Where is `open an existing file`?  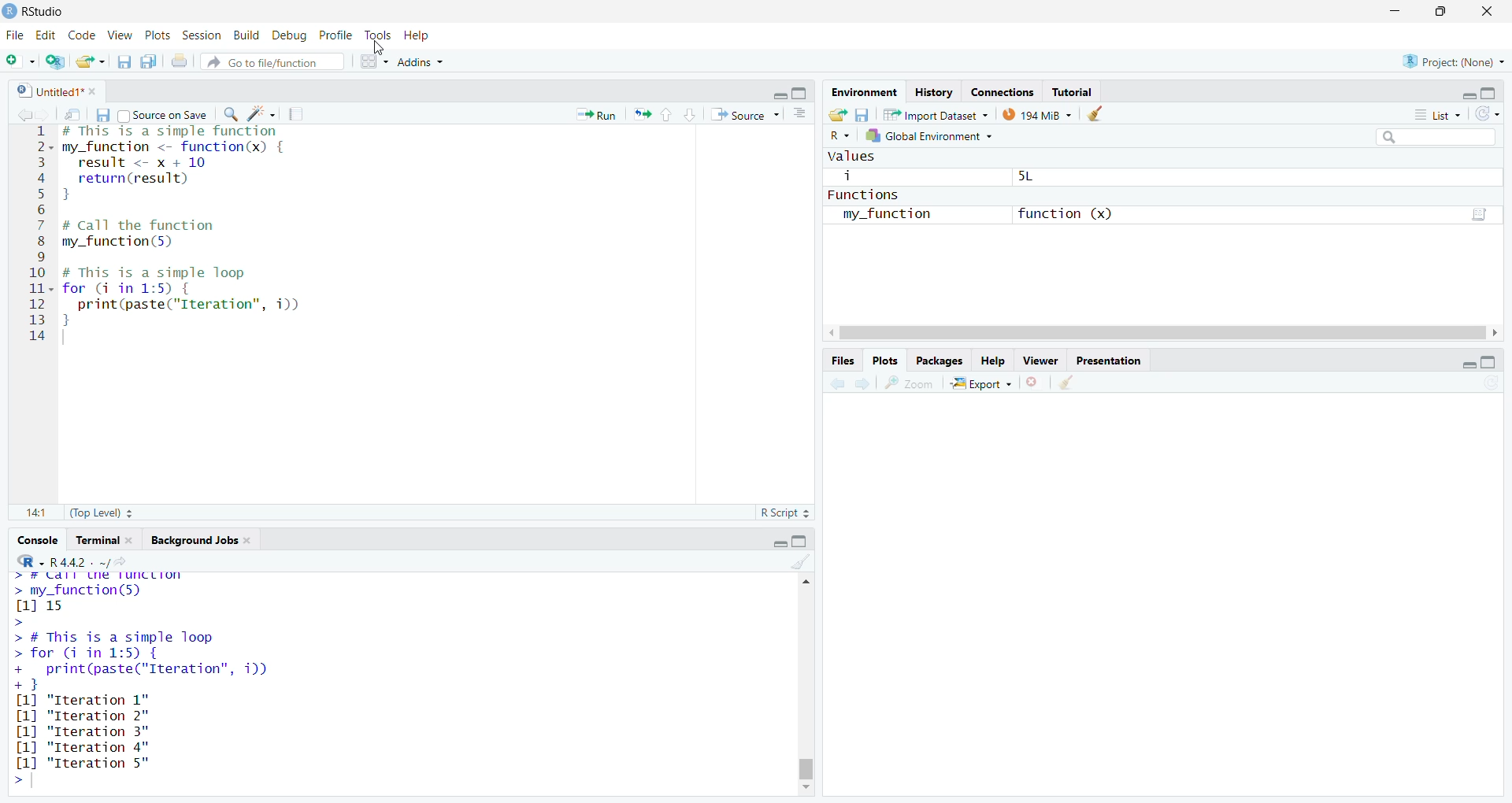
open an existing file is located at coordinates (91, 60).